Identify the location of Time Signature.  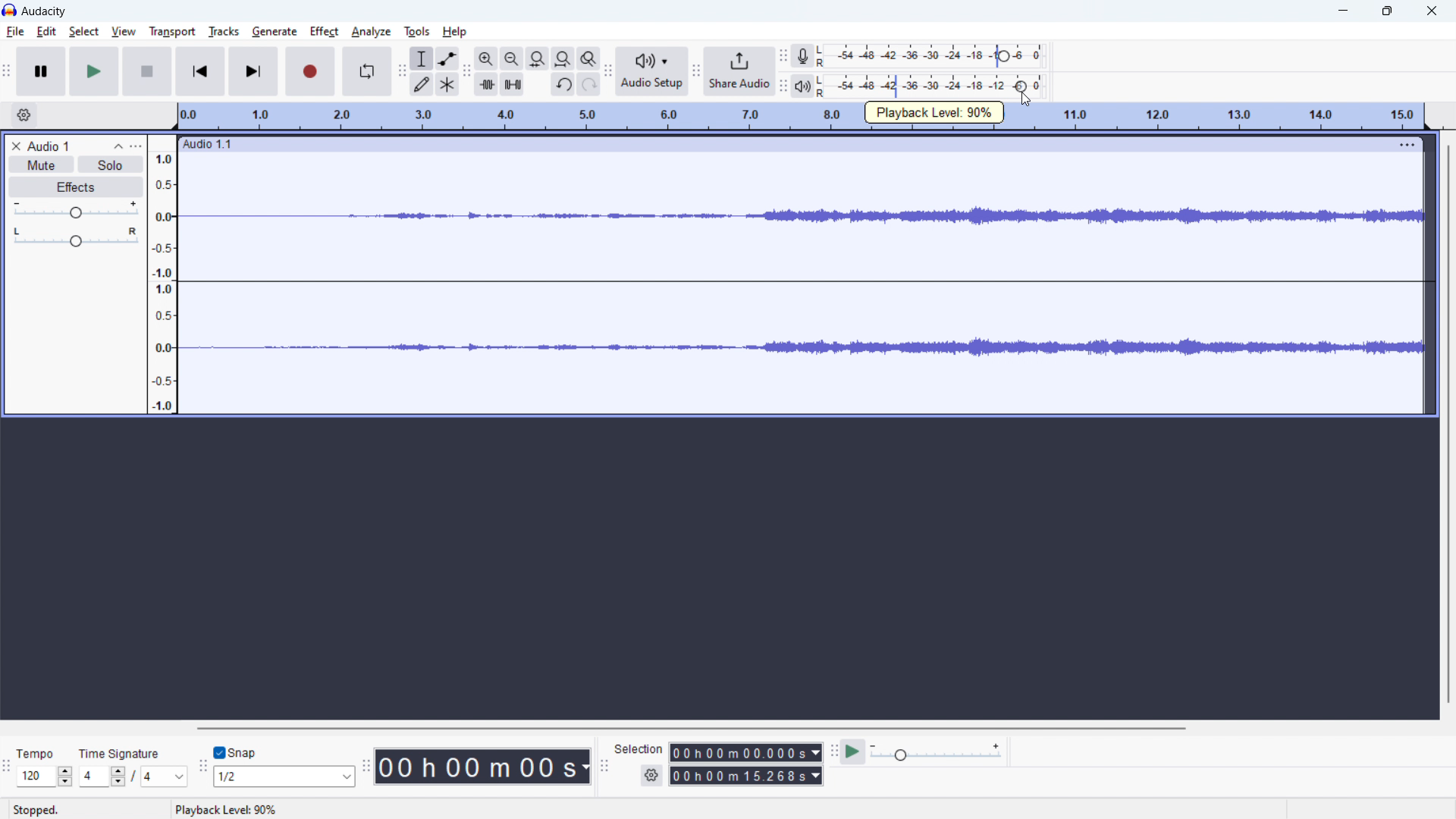
(121, 752).